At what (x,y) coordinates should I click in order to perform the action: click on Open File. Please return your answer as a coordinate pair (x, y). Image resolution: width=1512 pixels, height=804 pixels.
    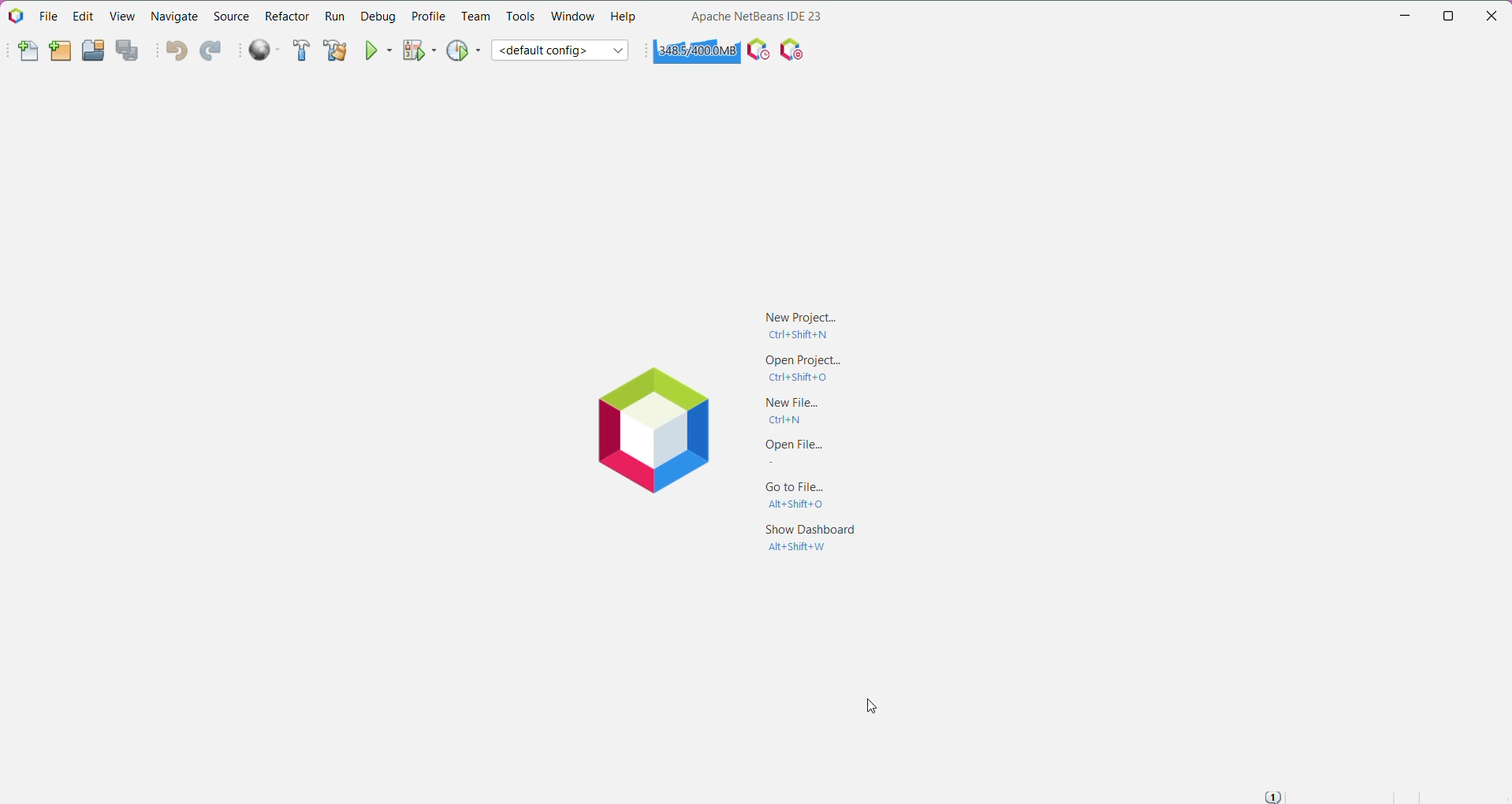
    Looking at the image, I should click on (794, 455).